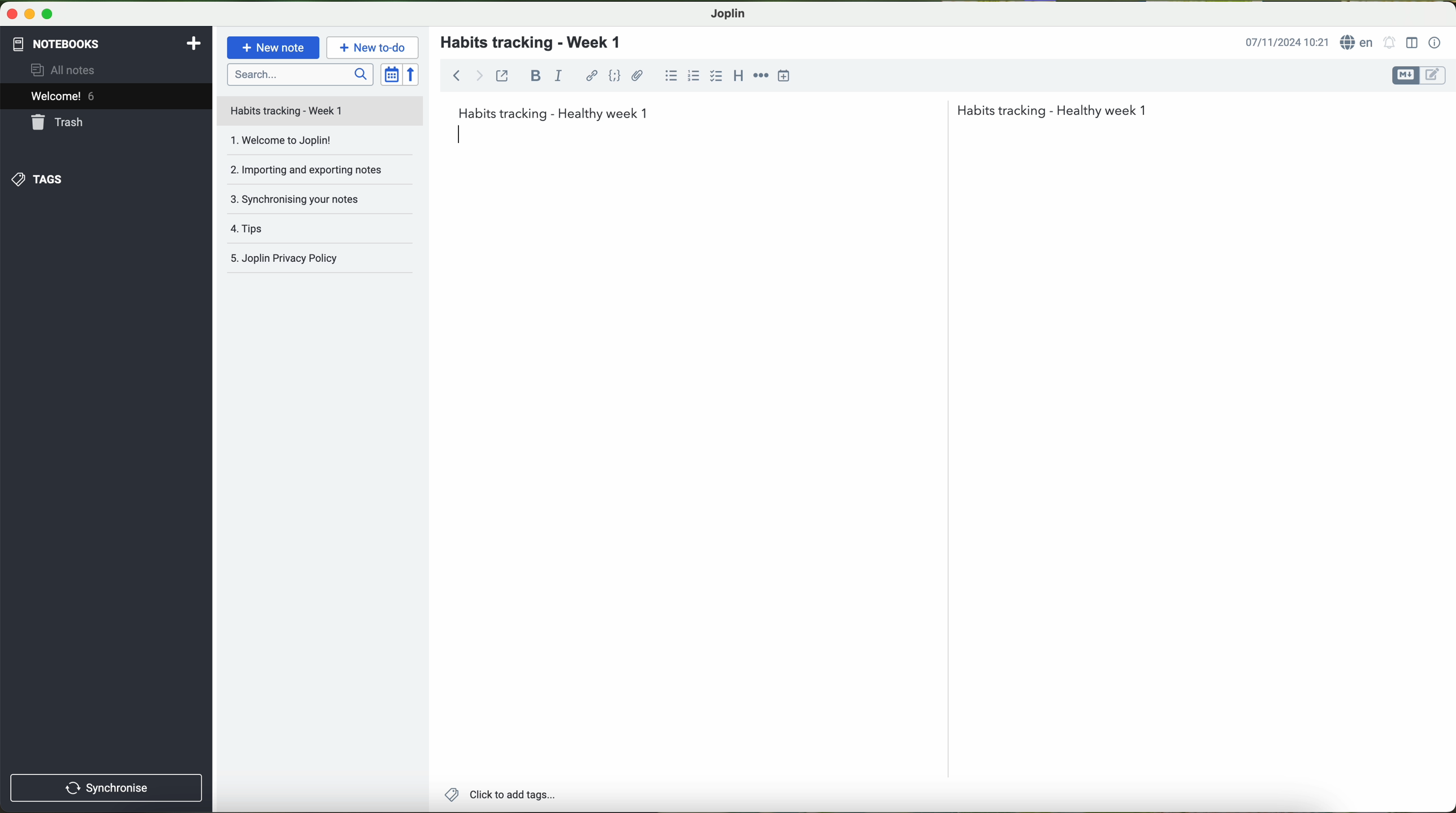  Describe the element at coordinates (502, 75) in the screenshot. I see `toggle external editing` at that location.